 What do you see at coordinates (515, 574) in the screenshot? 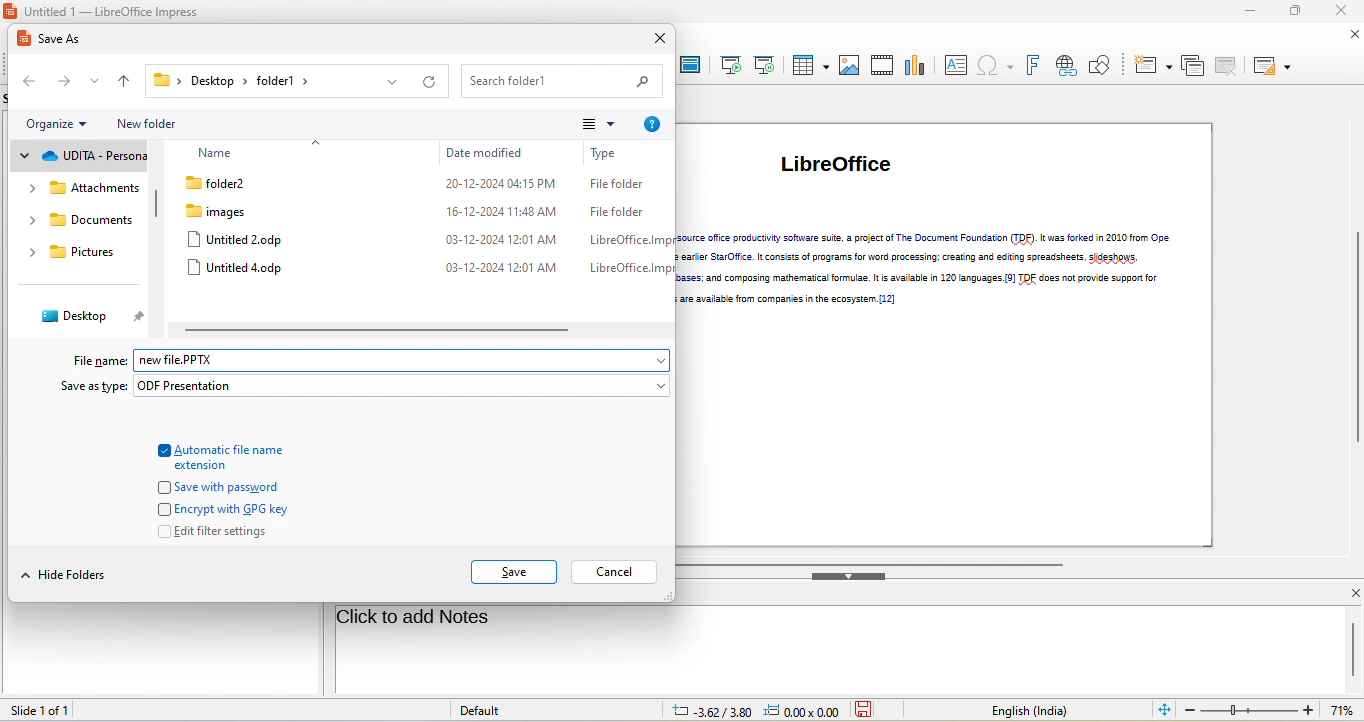
I see `save` at bounding box center [515, 574].